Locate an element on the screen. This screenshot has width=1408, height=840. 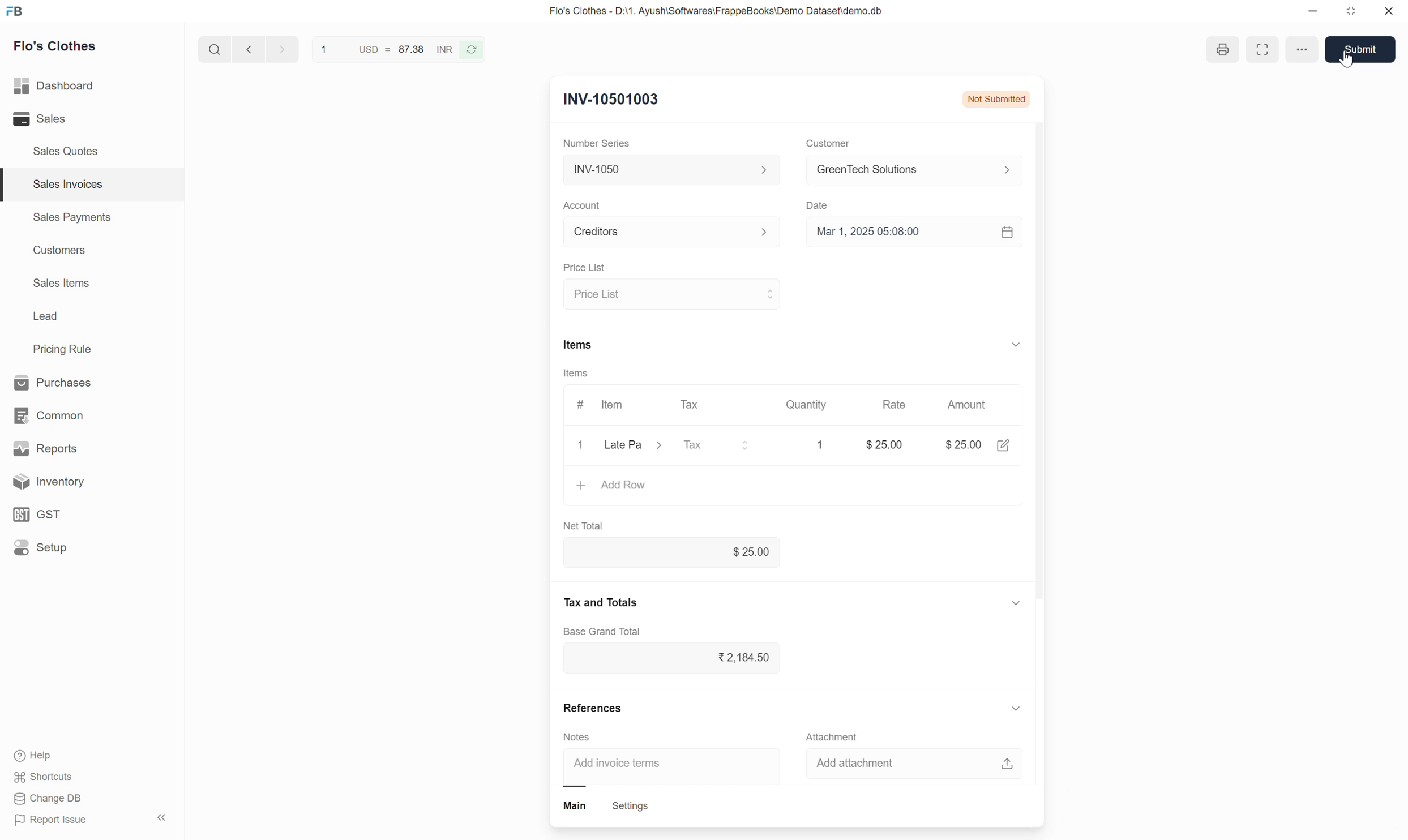
Select date  is located at coordinates (914, 236).